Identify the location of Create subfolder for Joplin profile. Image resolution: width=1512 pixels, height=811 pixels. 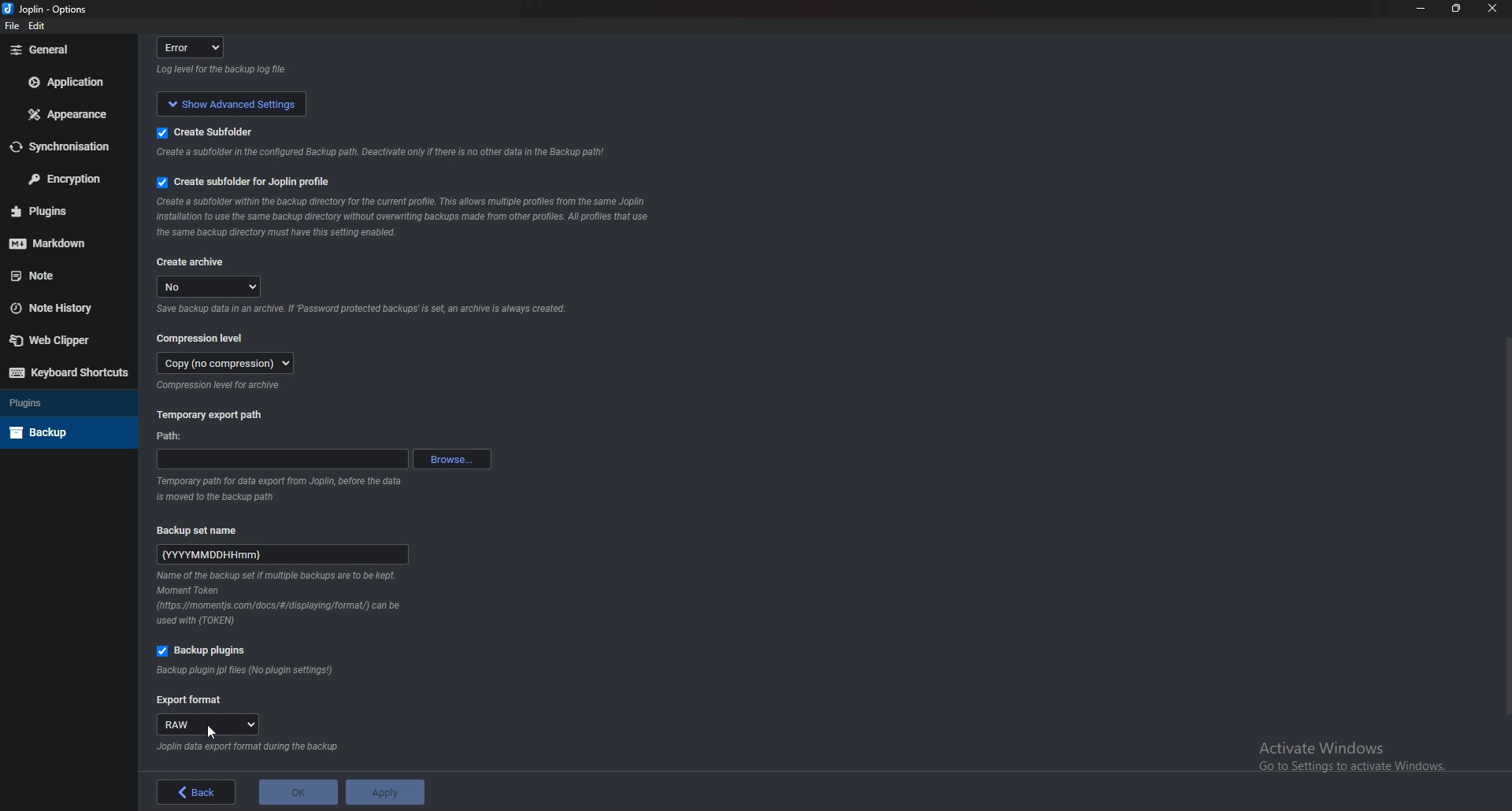
(247, 182).